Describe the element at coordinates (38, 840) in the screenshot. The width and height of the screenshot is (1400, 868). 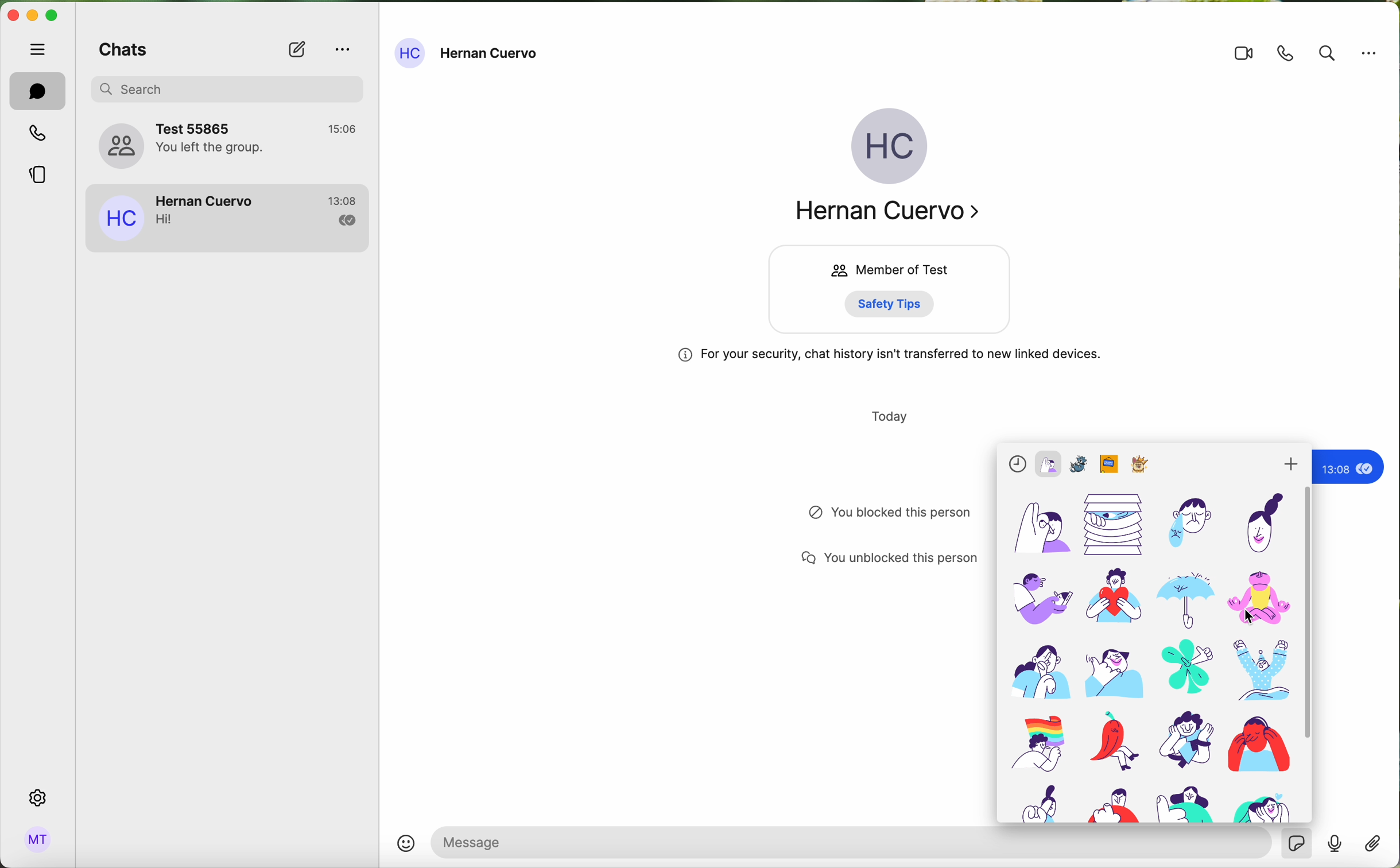
I see `profile` at that location.